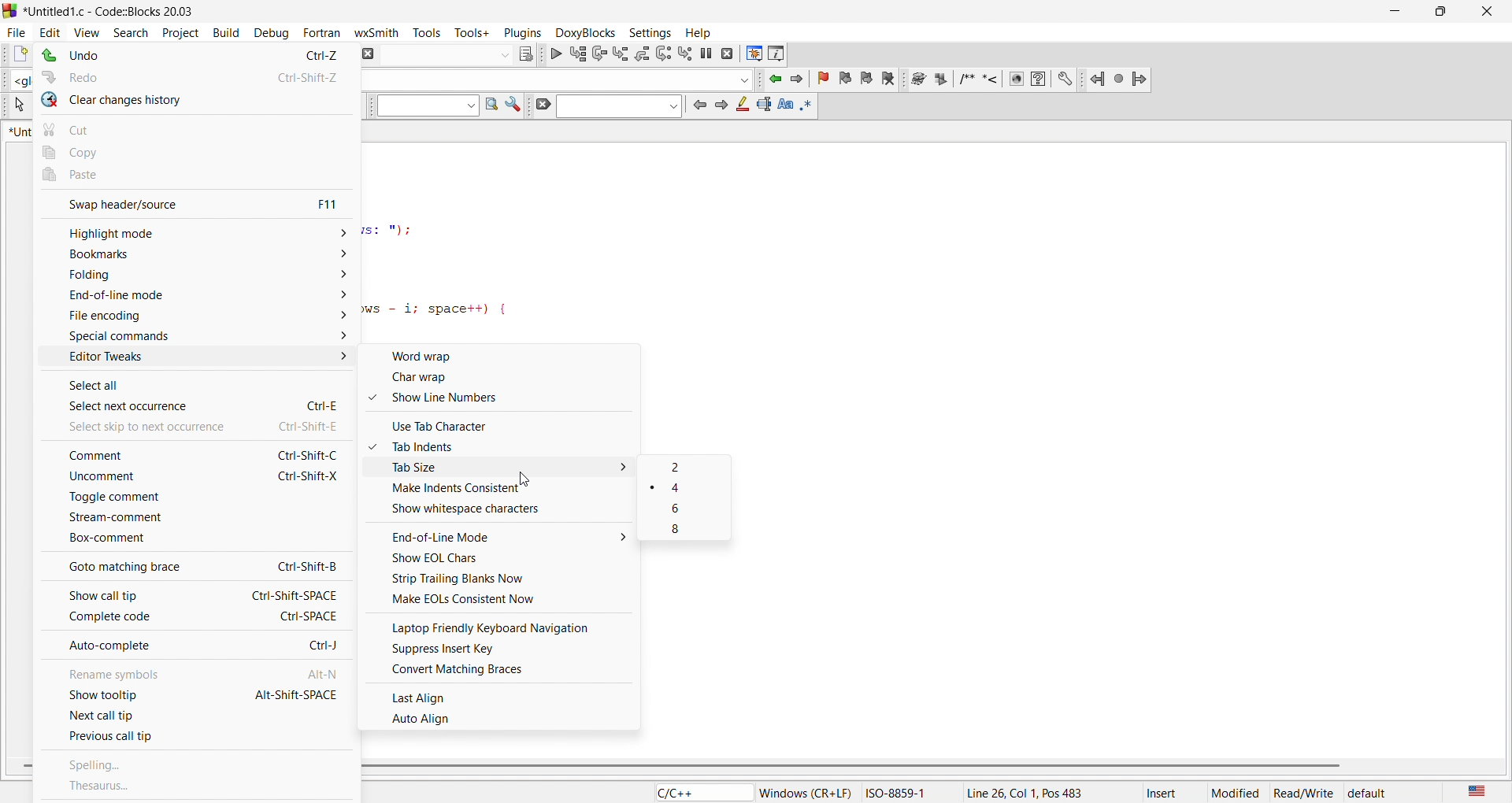 This screenshot has height=803, width=1512. What do you see at coordinates (508, 357) in the screenshot?
I see `word wrap` at bounding box center [508, 357].